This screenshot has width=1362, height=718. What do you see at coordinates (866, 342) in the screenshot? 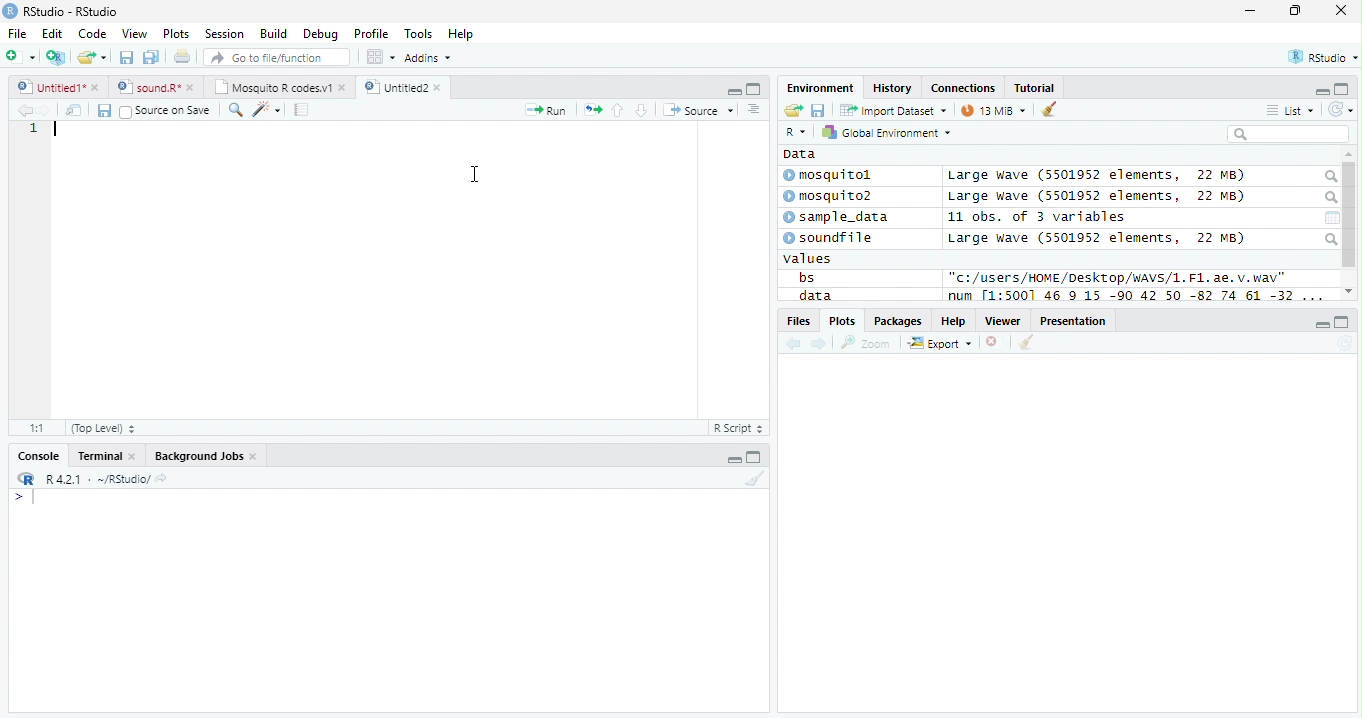
I see `zoom` at bounding box center [866, 342].